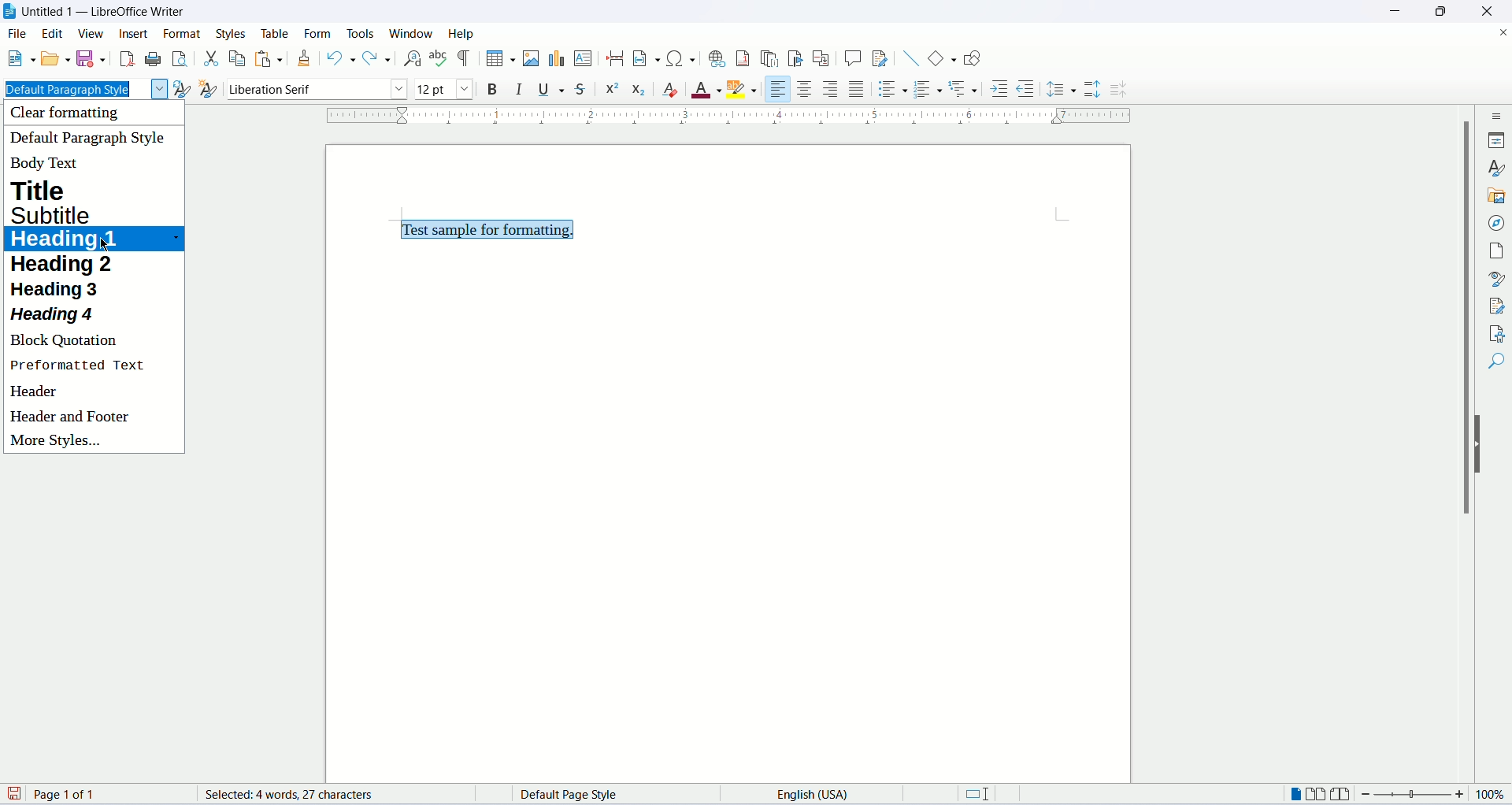  I want to click on preformatted text, so click(79, 367).